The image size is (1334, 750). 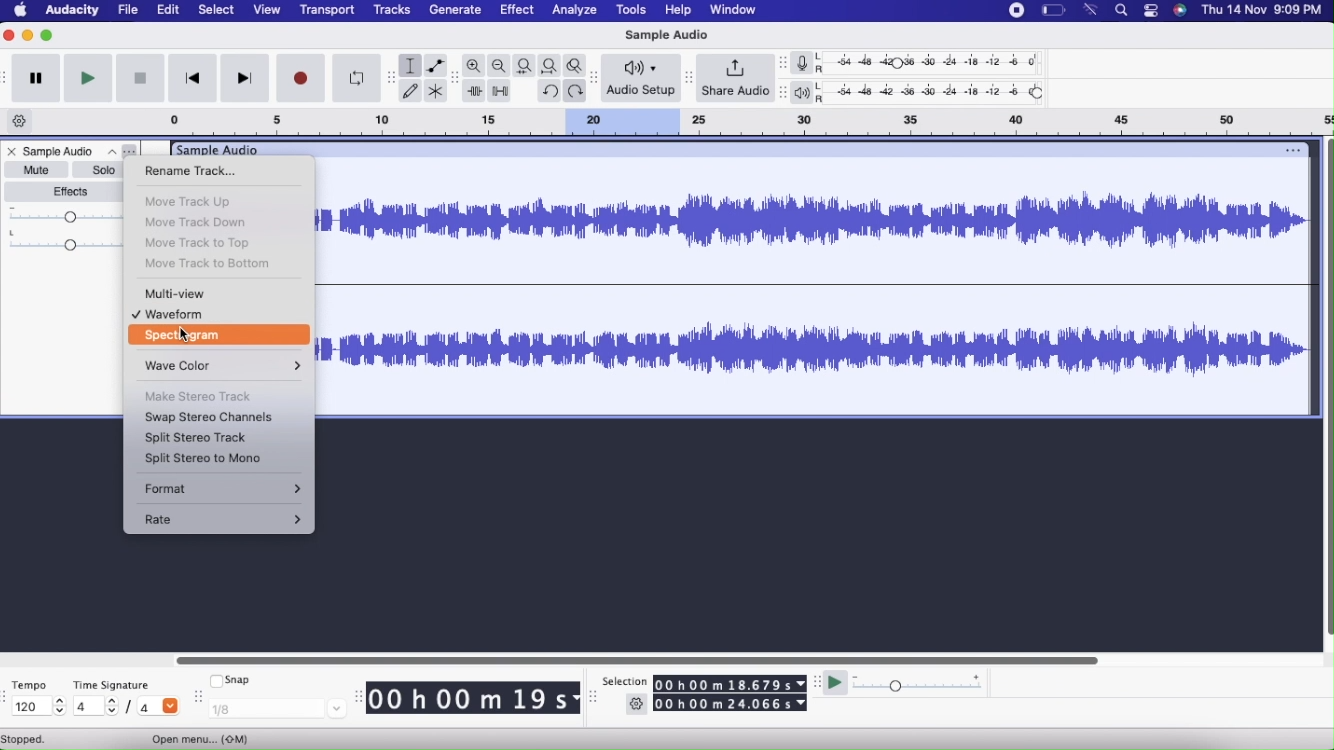 What do you see at coordinates (410, 91) in the screenshot?
I see `Draw tool` at bounding box center [410, 91].